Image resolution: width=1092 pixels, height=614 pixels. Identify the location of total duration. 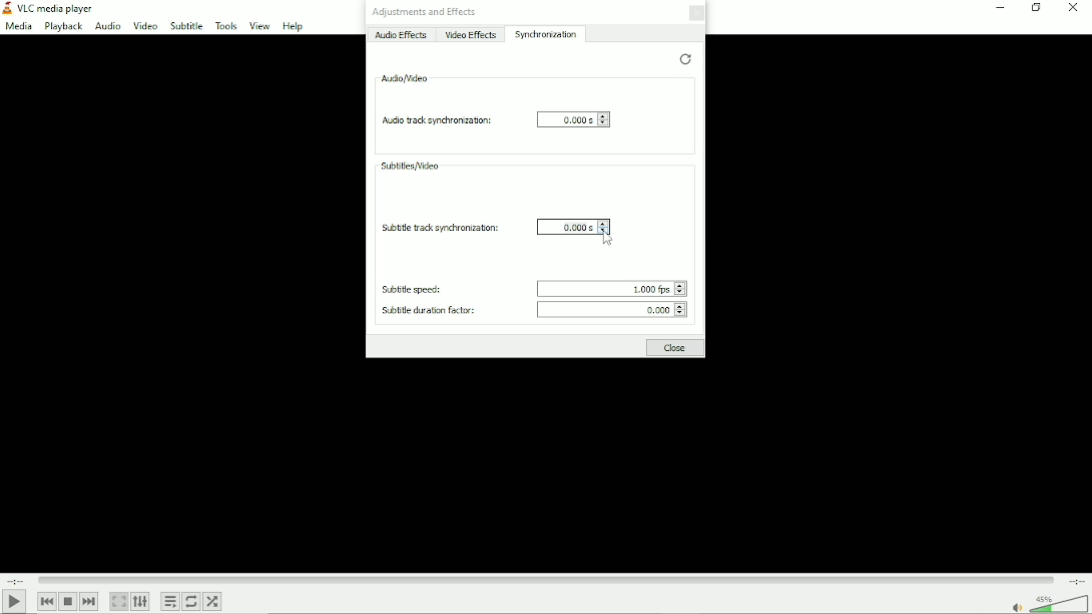
(1074, 581).